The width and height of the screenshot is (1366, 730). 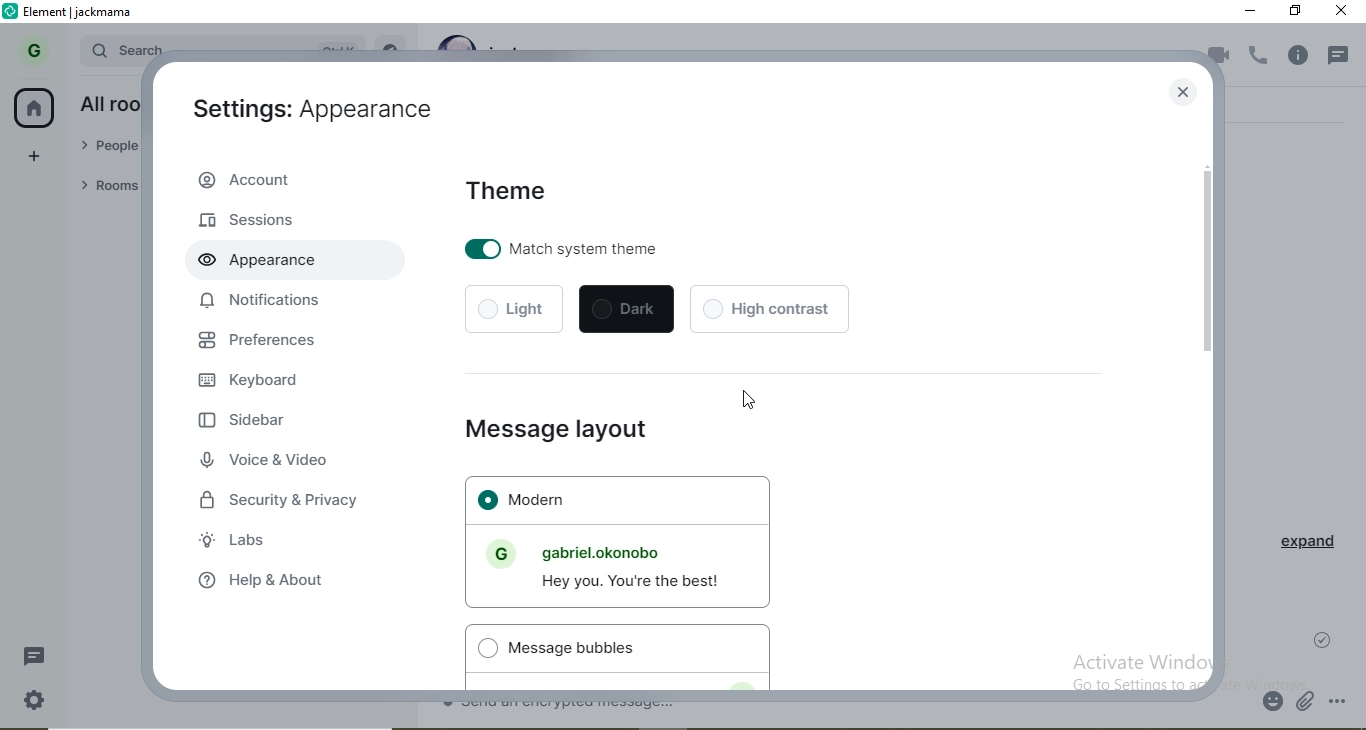 I want to click on attachment, so click(x=1307, y=704).